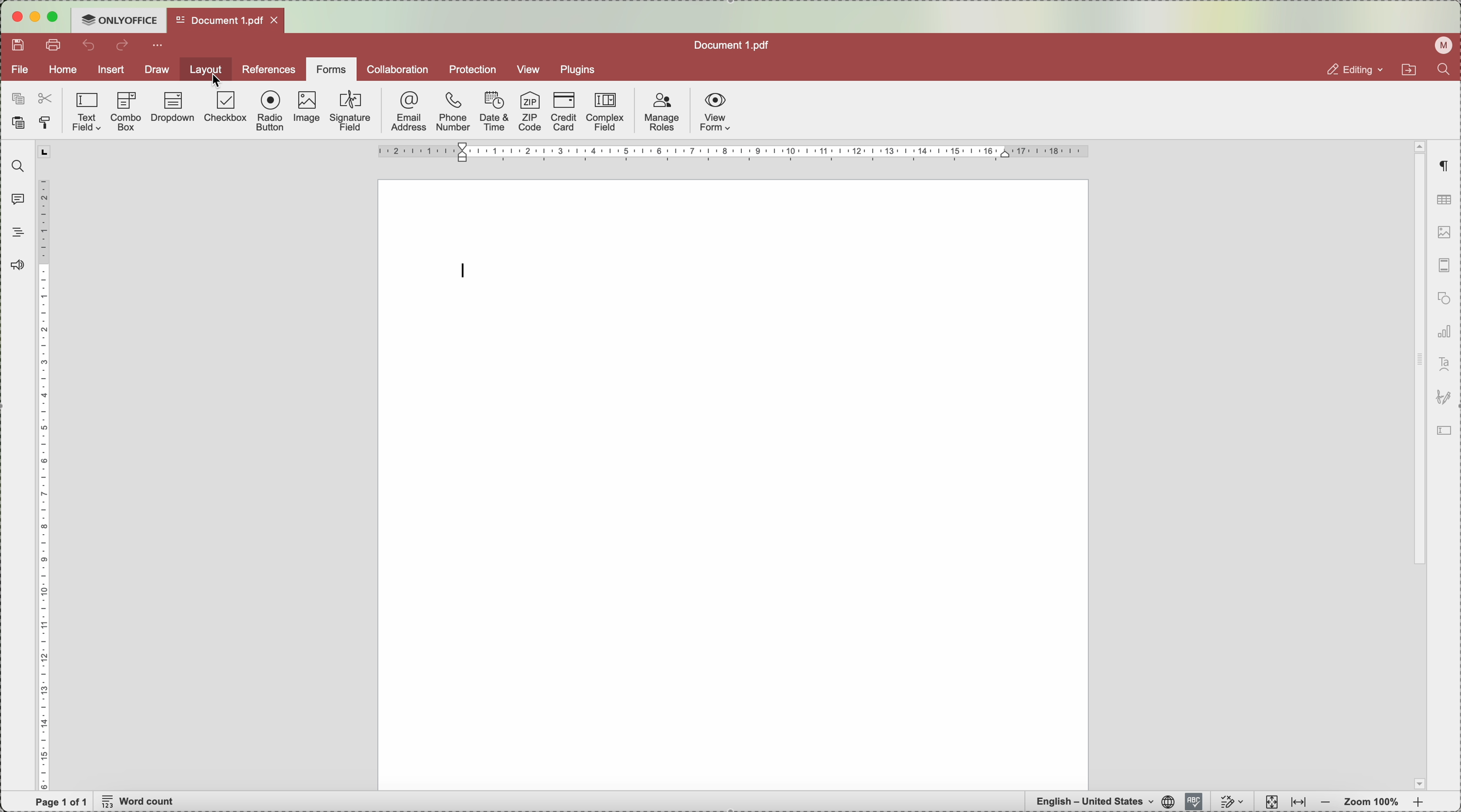  I want to click on phone number, so click(451, 113).